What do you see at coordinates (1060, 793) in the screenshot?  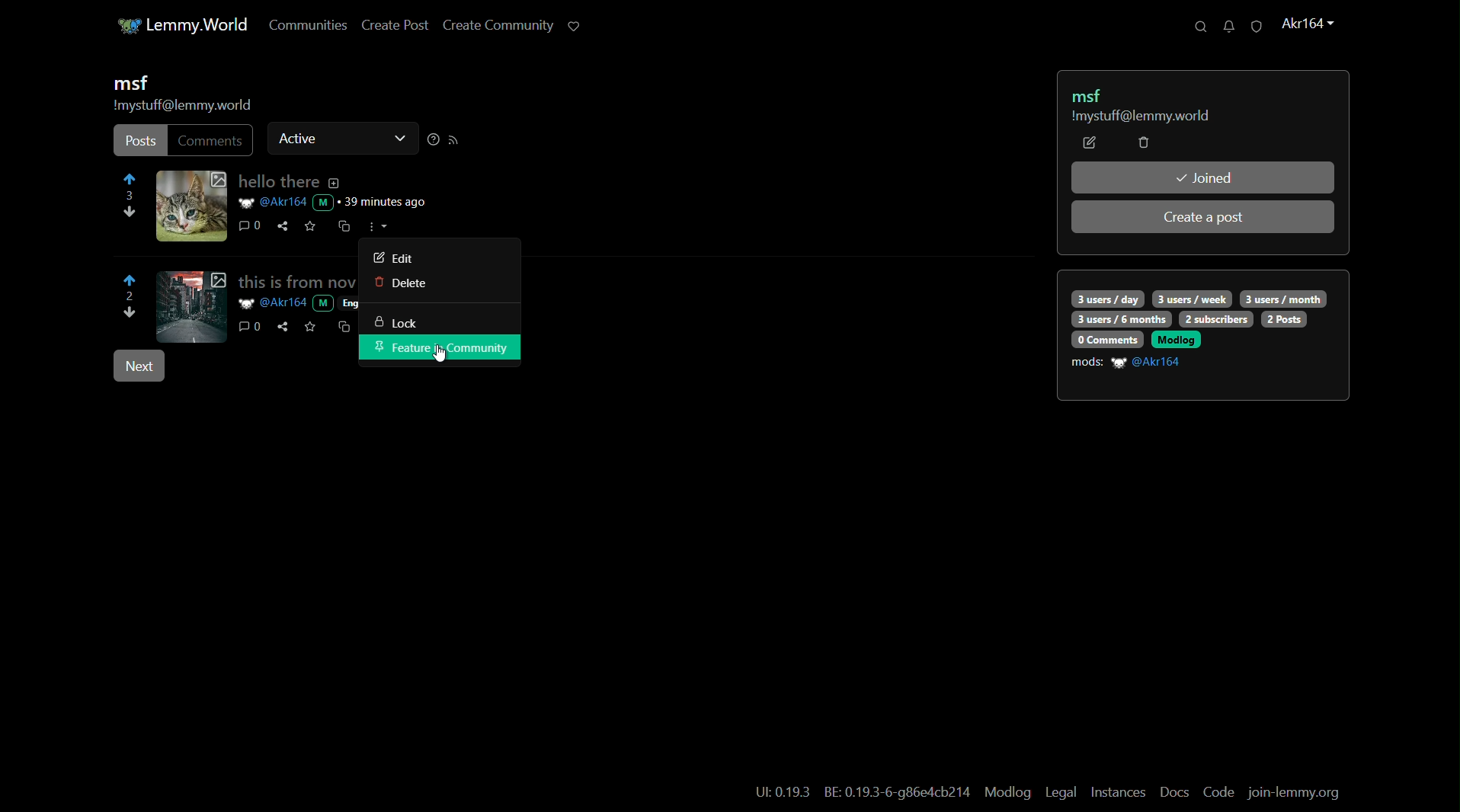 I see `legal` at bounding box center [1060, 793].